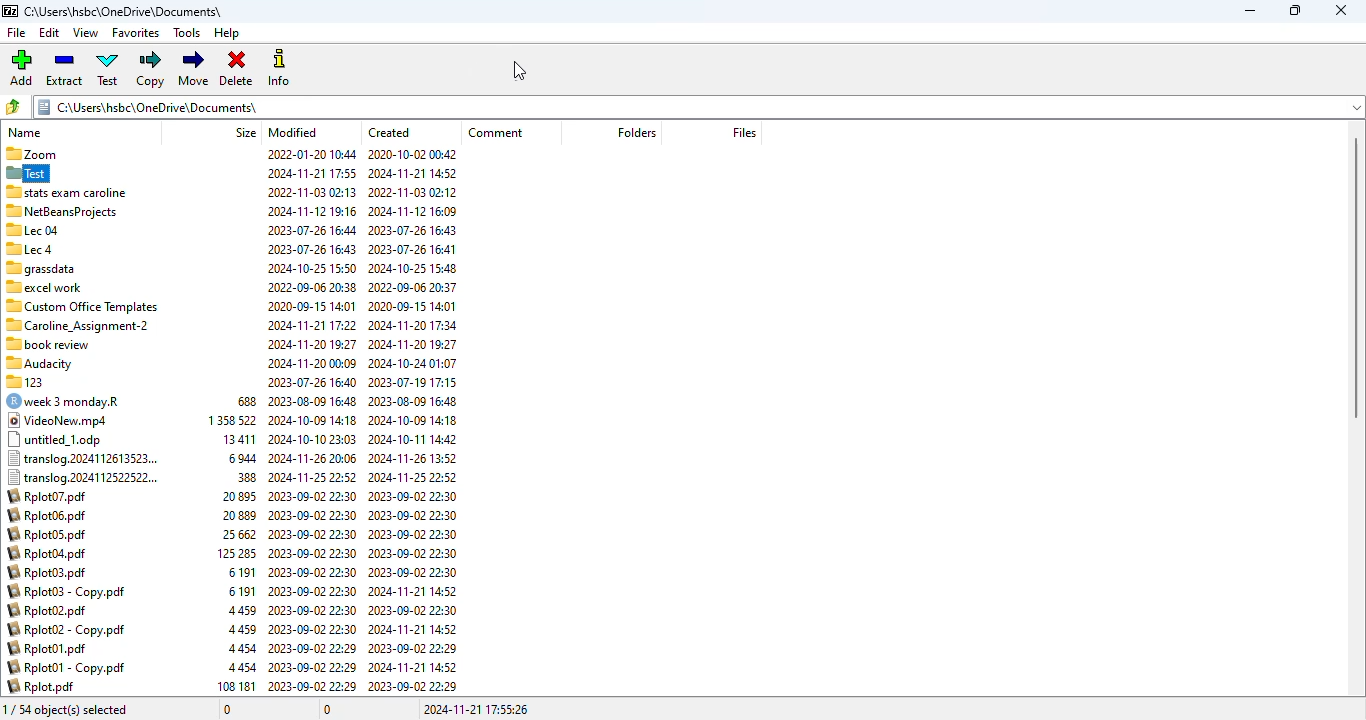 Image resolution: width=1366 pixels, height=720 pixels. Describe the element at coordinates (9, 11) in the screenshot. I see `logo` at that location.